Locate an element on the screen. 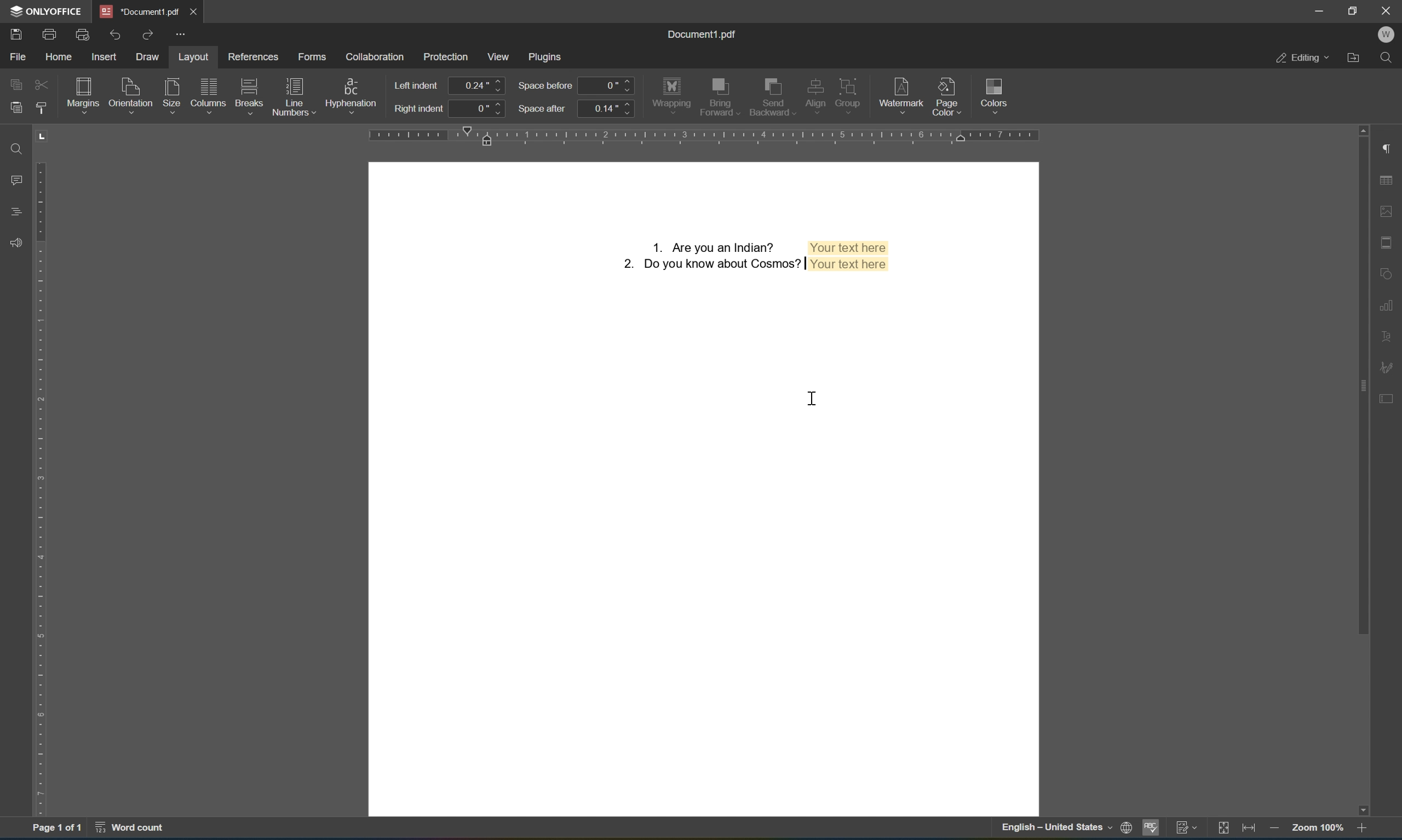 This screenshot has height=840, width=1402. refernces is located at coordinates (258, 57).